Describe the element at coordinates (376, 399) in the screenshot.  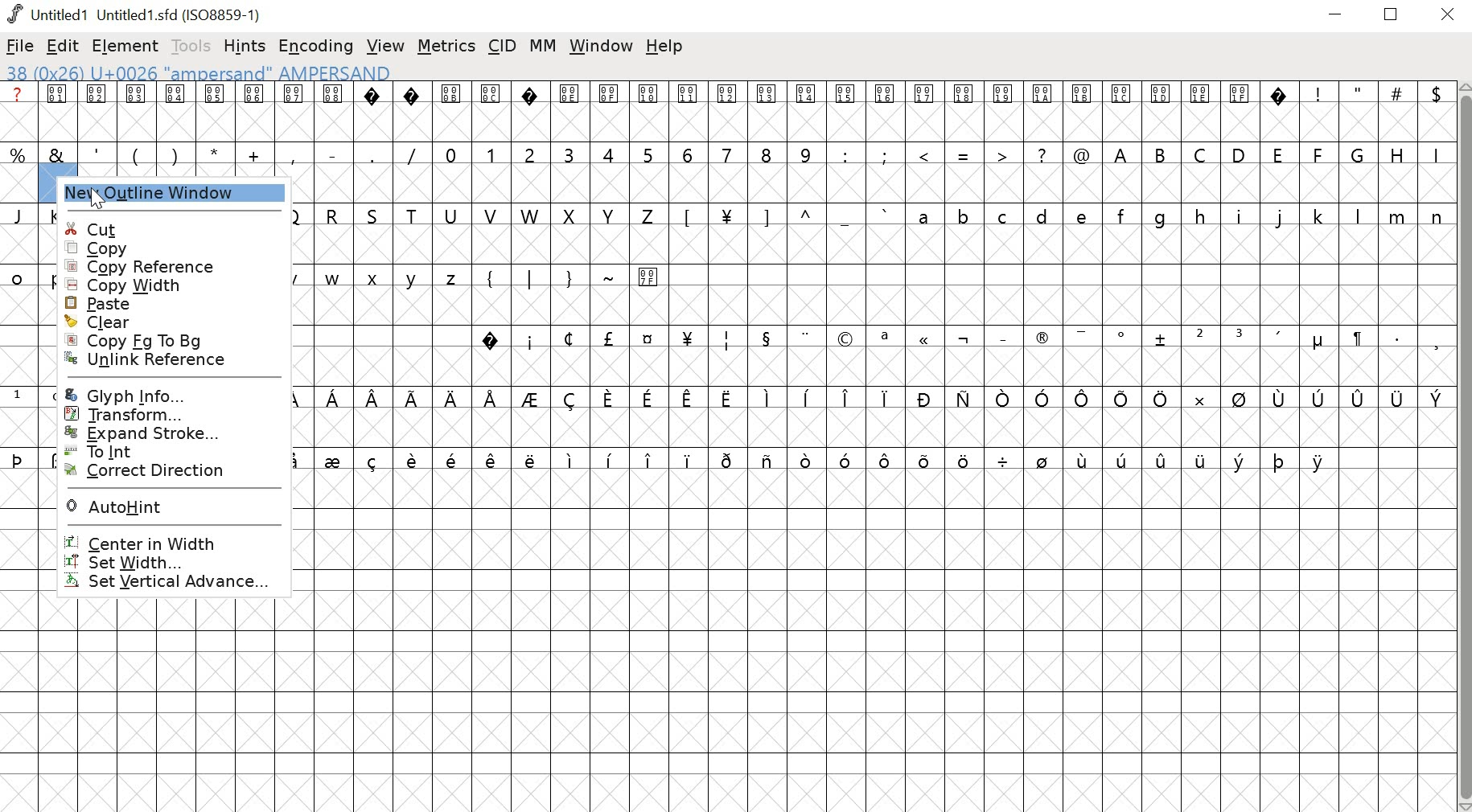
I see `symbol` at that location.